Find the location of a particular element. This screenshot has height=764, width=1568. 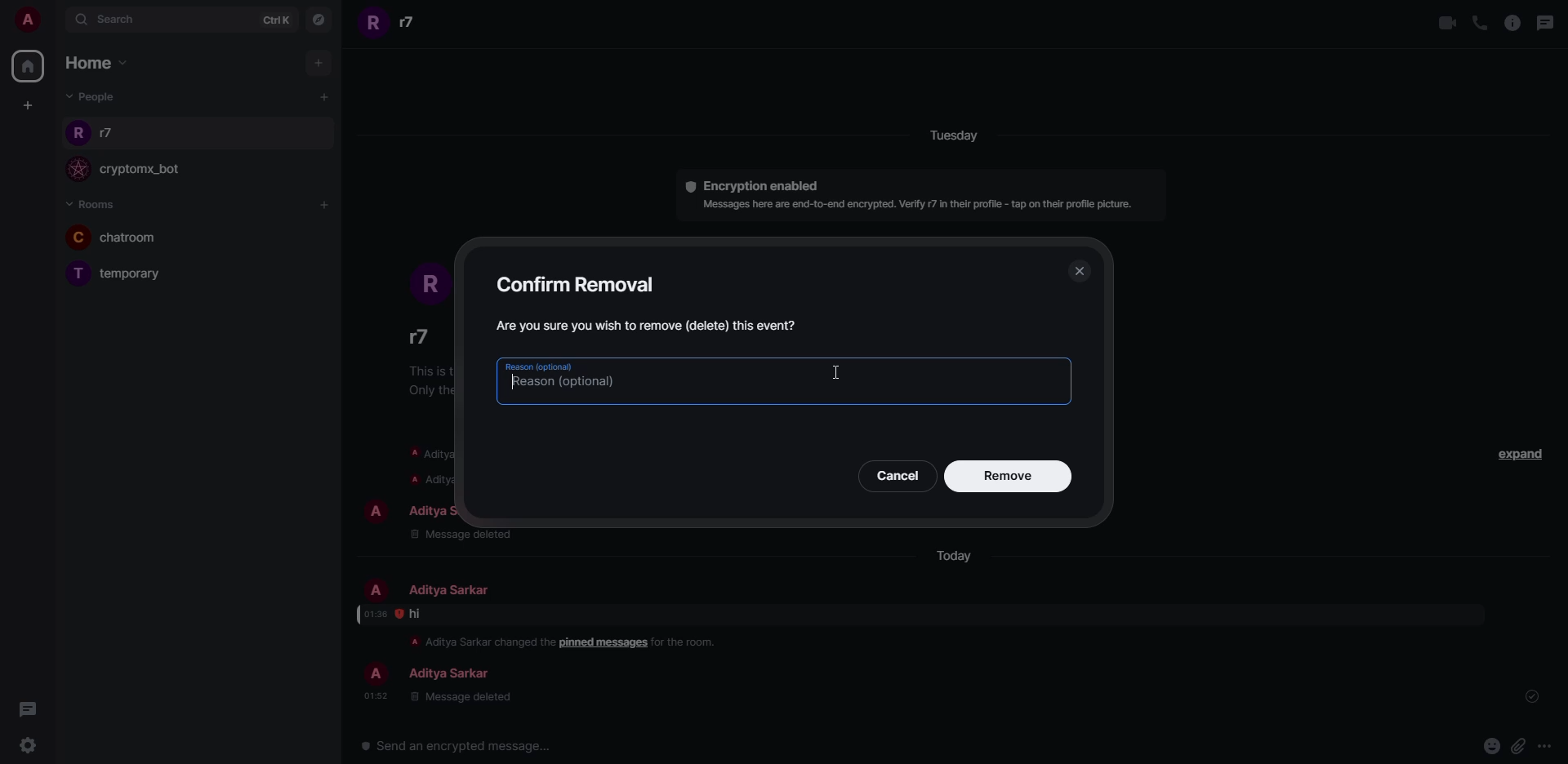

add is located at coordinates (318, 60).